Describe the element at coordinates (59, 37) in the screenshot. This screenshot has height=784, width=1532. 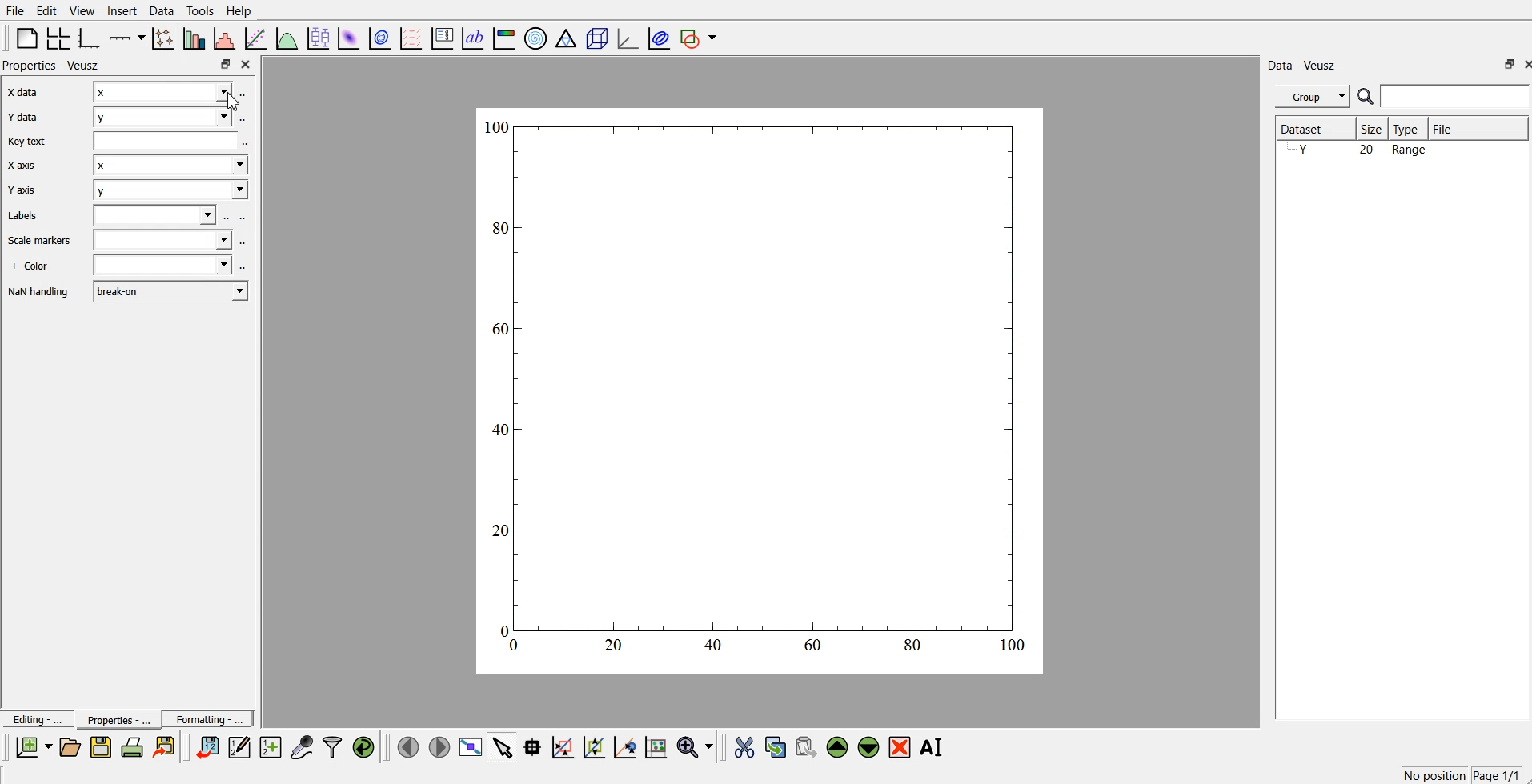
I see `arrange a graph in a grid` at that location.